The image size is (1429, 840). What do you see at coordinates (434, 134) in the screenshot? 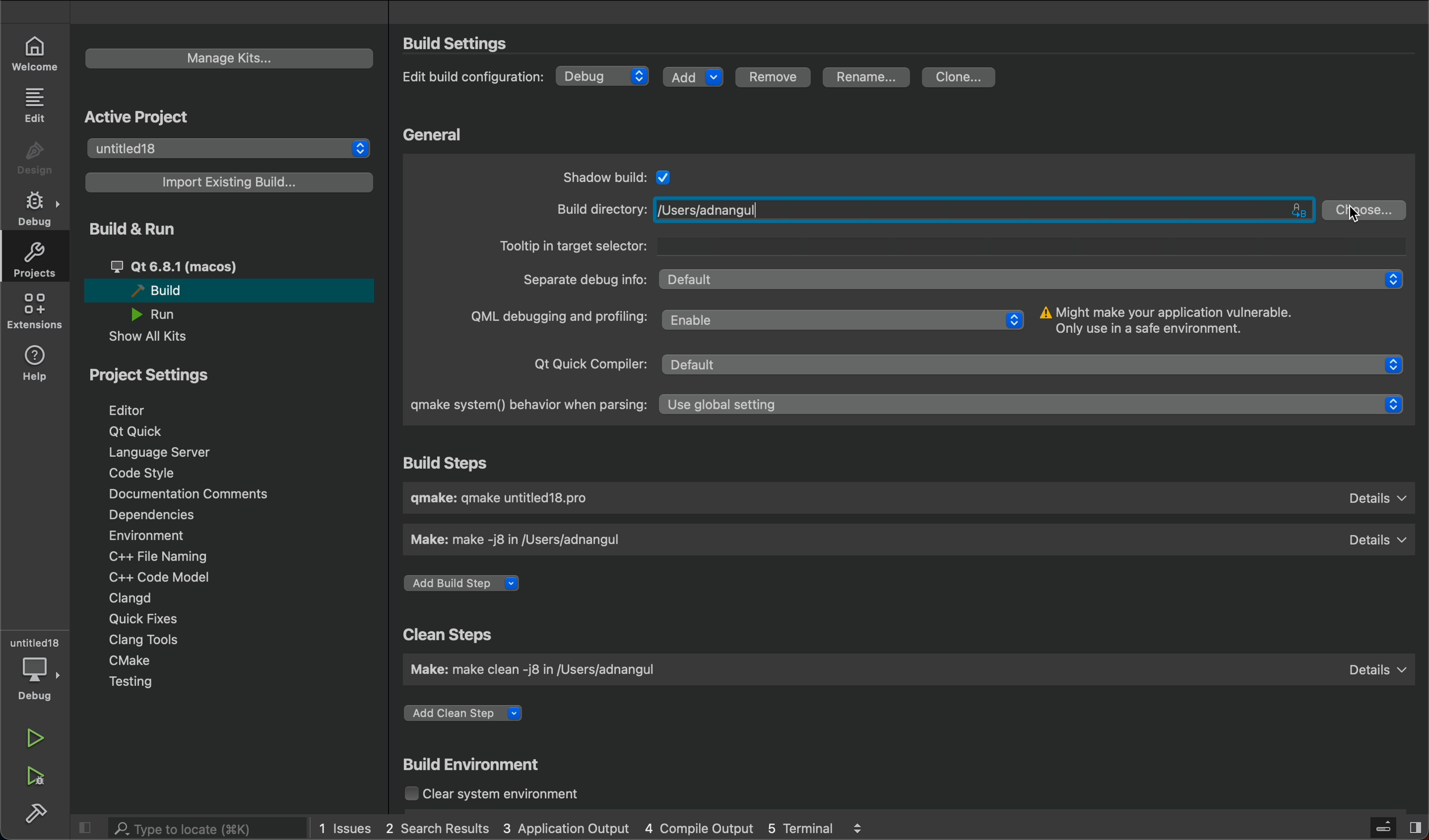
I see `general` at bounding box center [434, 134].